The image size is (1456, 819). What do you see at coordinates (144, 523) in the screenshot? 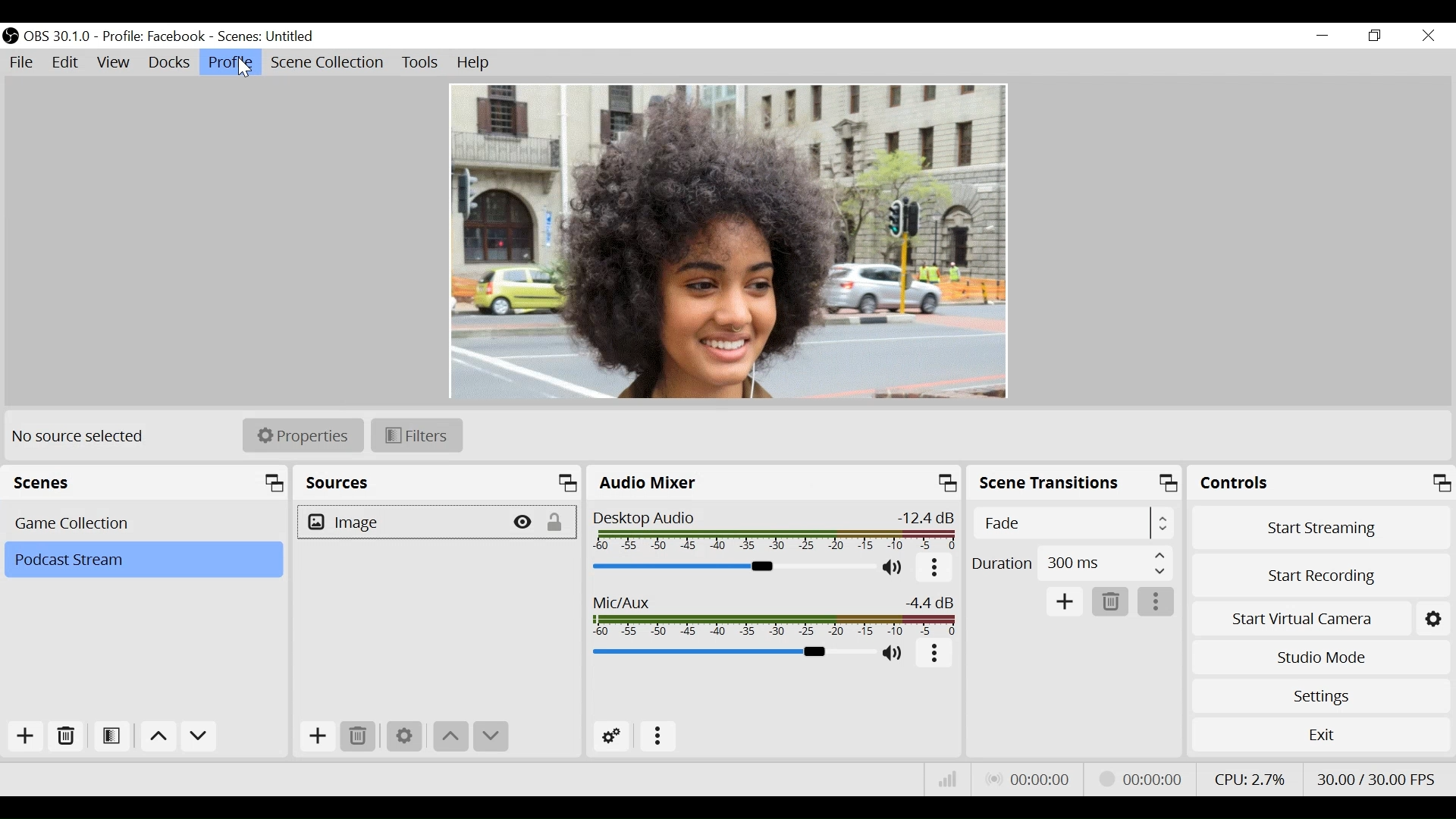
I see `Scene` at bounding box center [144, 523].